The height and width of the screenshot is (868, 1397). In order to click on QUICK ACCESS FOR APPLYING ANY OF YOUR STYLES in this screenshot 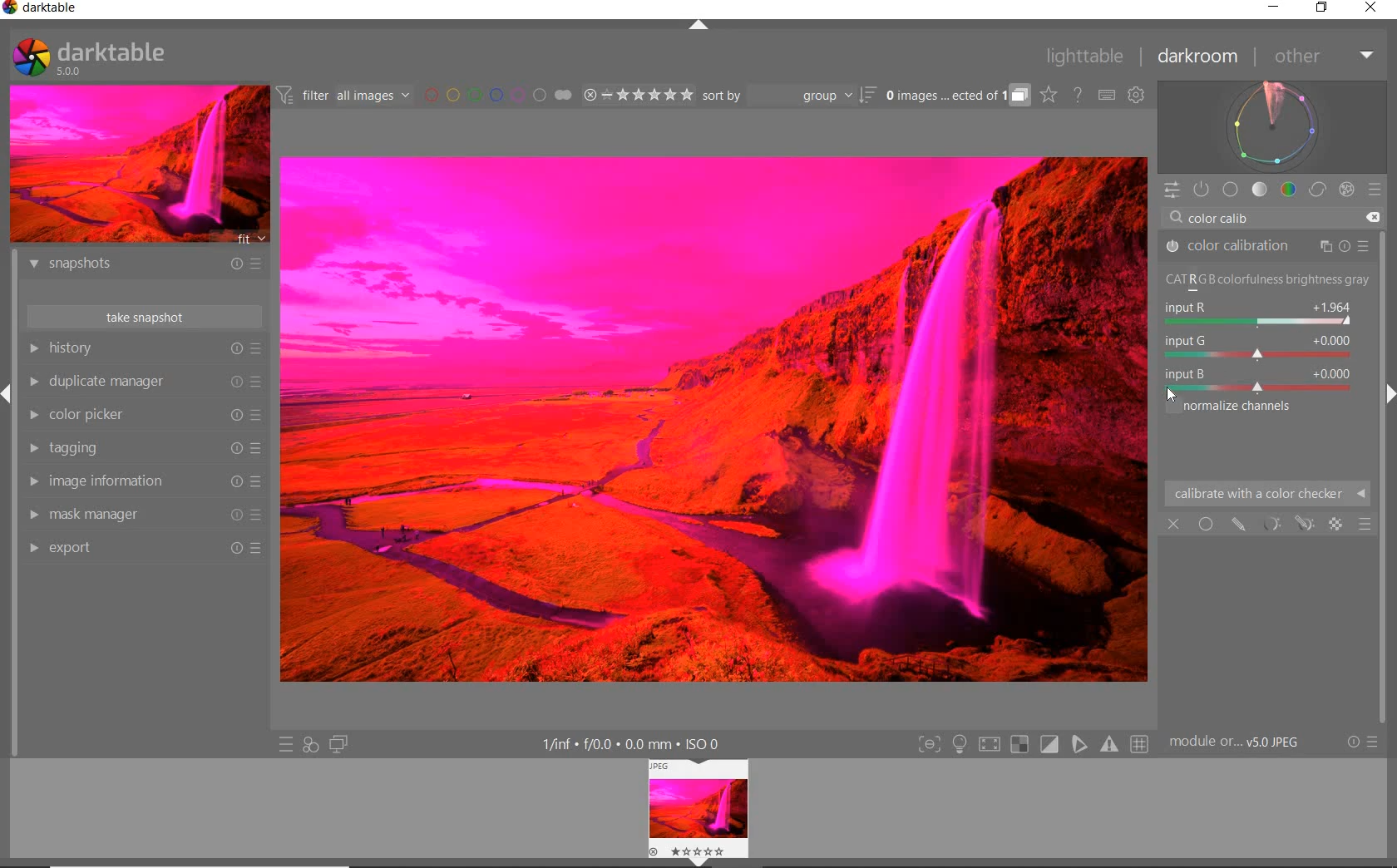, I will do `click(309, 746)`.